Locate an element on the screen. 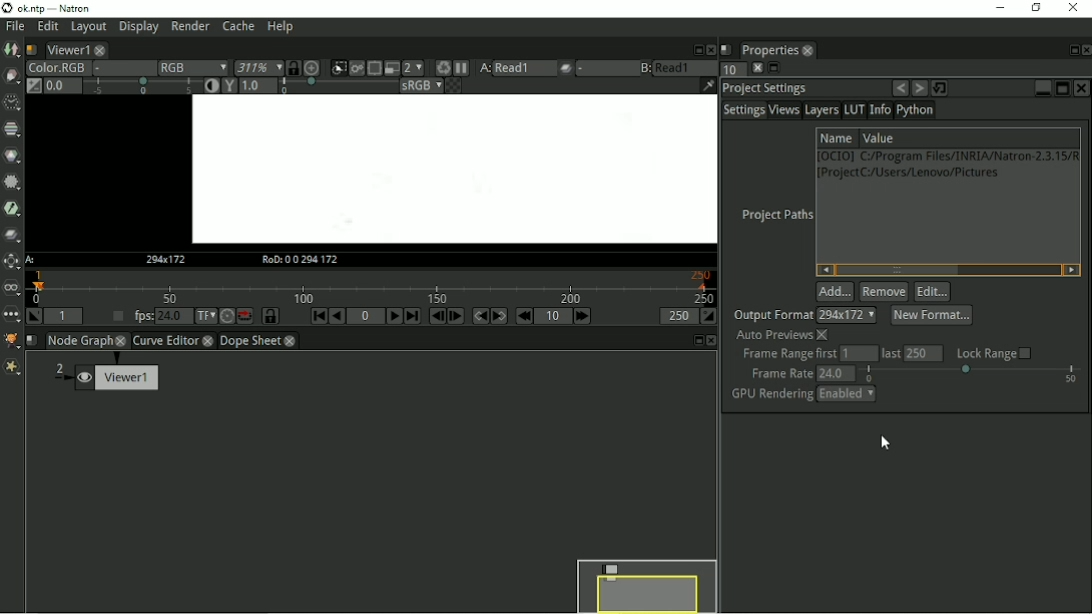 The height and width of the screenshot is (614, 1092). Restore down is located at coordinates (1035, 8).